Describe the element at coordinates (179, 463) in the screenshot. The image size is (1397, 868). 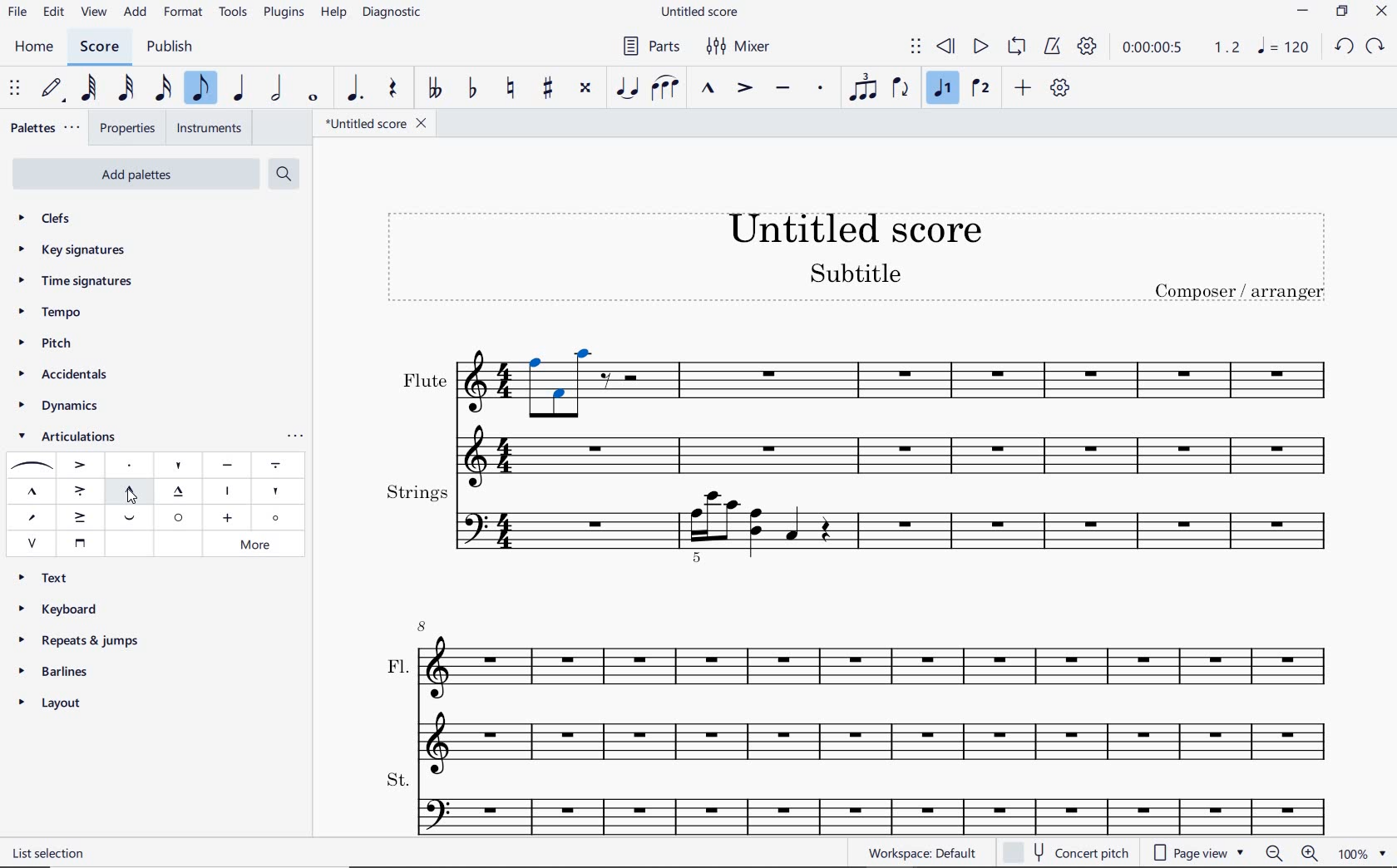
I see `STACCATISSIMO ABOVE` at that location.